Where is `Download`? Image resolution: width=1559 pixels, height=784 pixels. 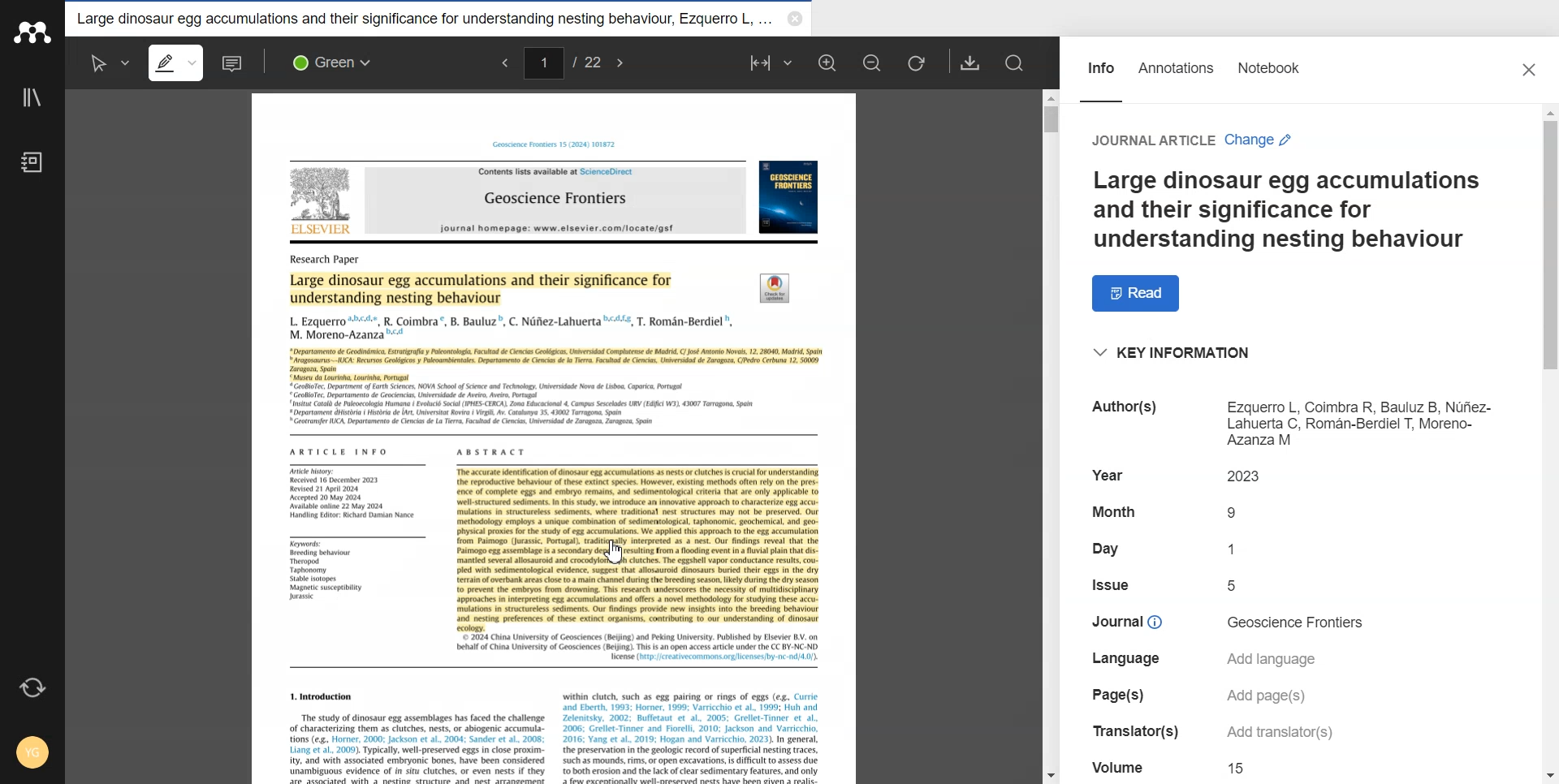
Download is located at coordinates (970, 62).